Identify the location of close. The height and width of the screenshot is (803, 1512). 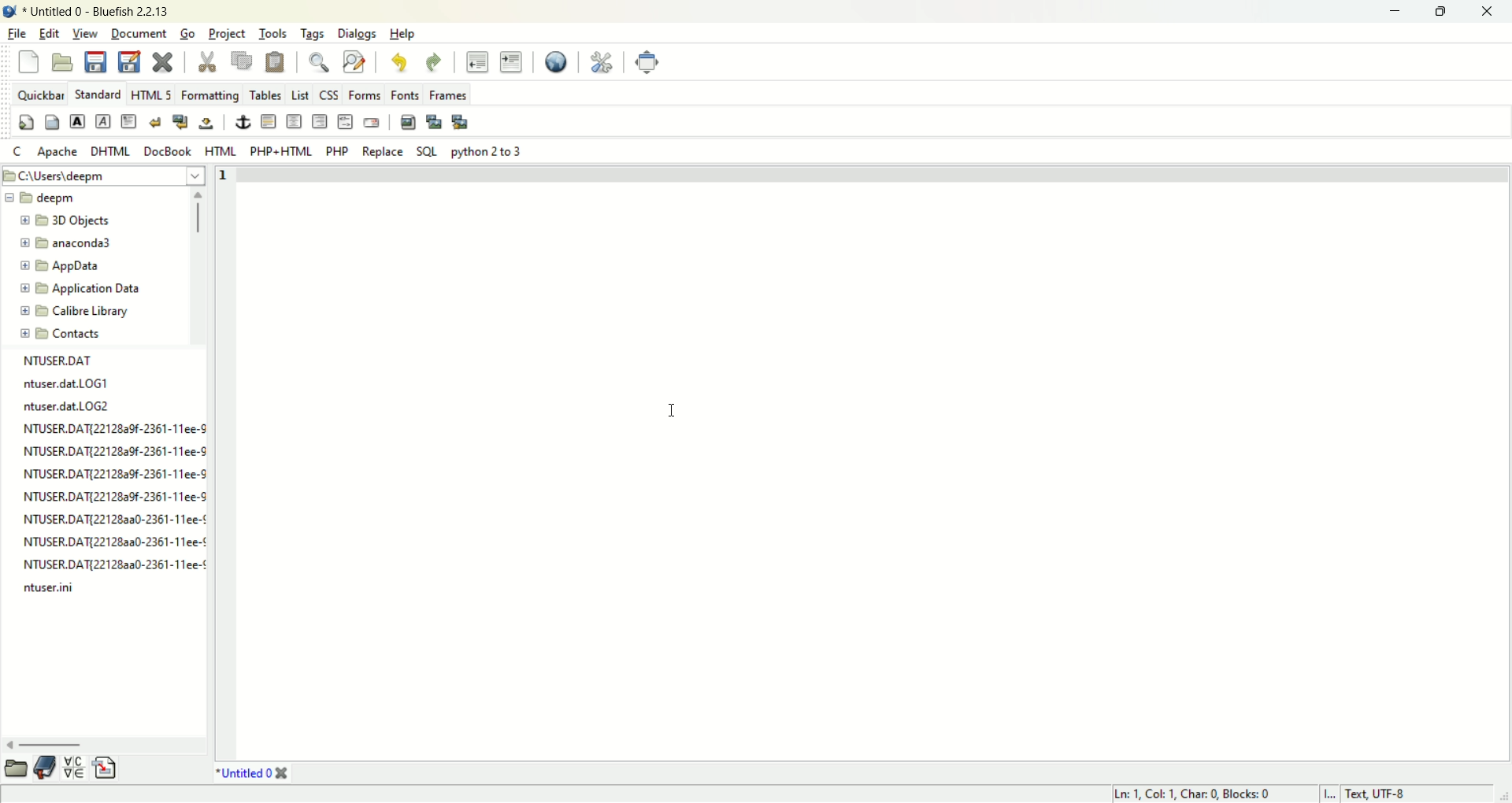
(163, 64).